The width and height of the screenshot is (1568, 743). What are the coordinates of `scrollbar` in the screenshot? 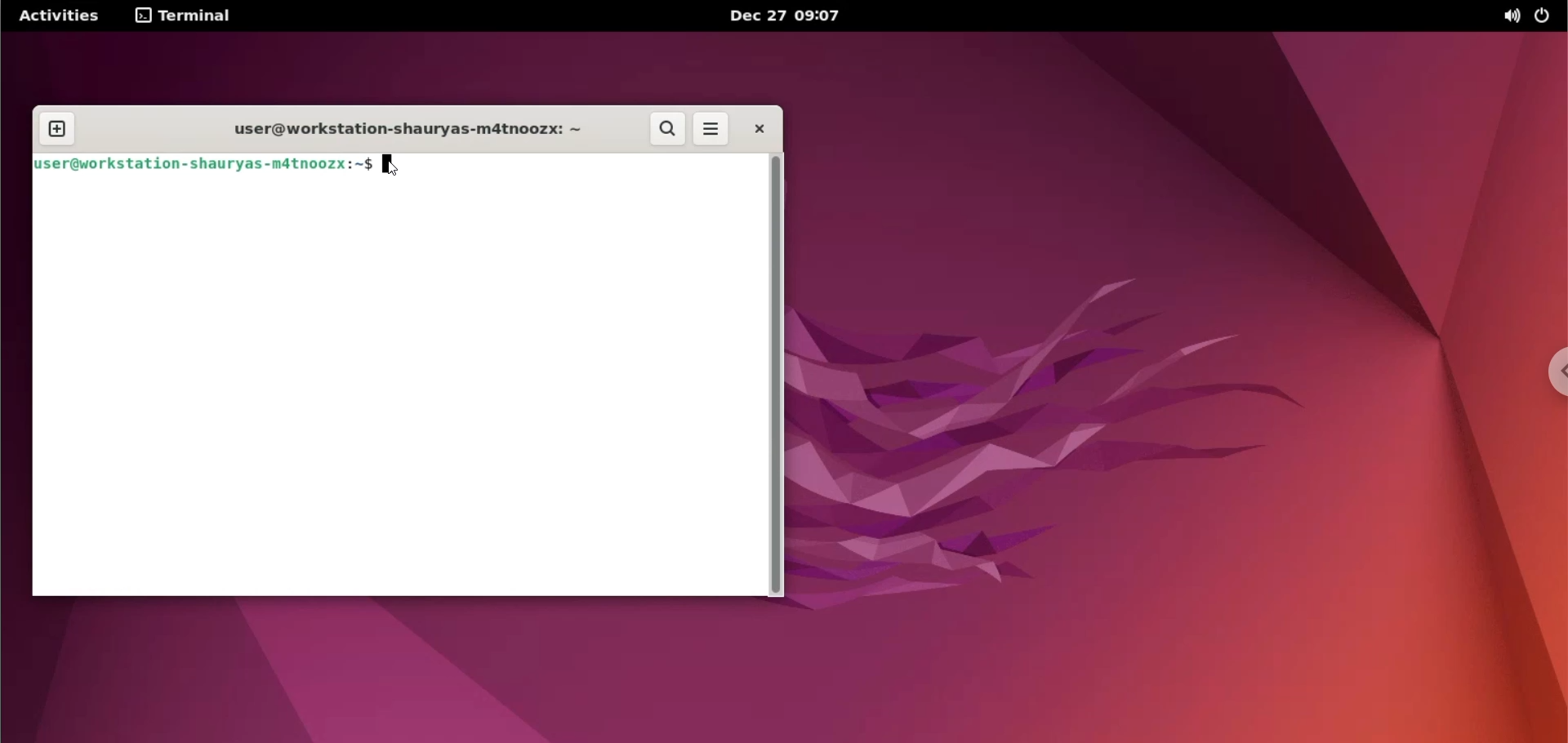 It's located at (778, 376).